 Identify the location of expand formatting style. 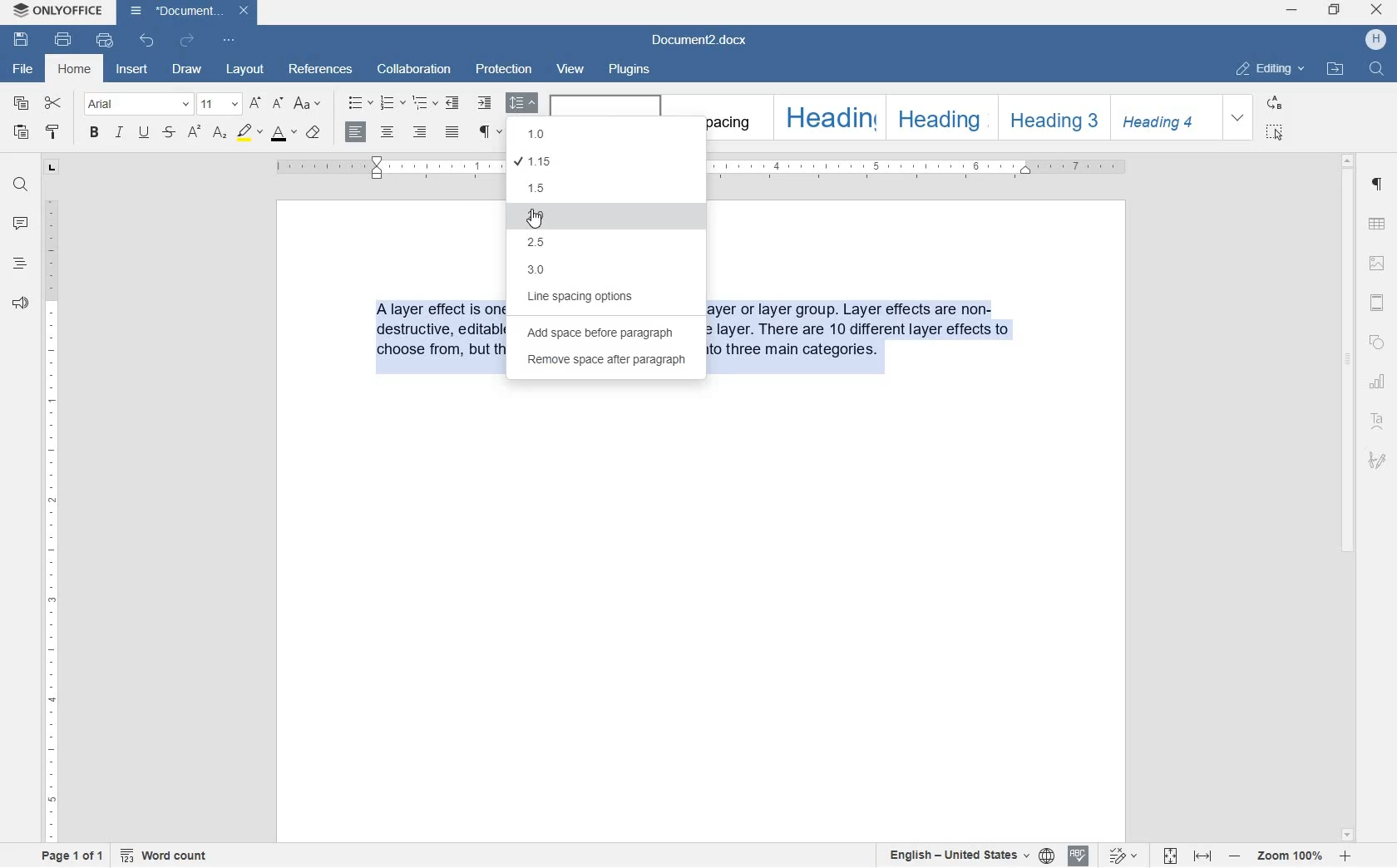
(1240, 118).